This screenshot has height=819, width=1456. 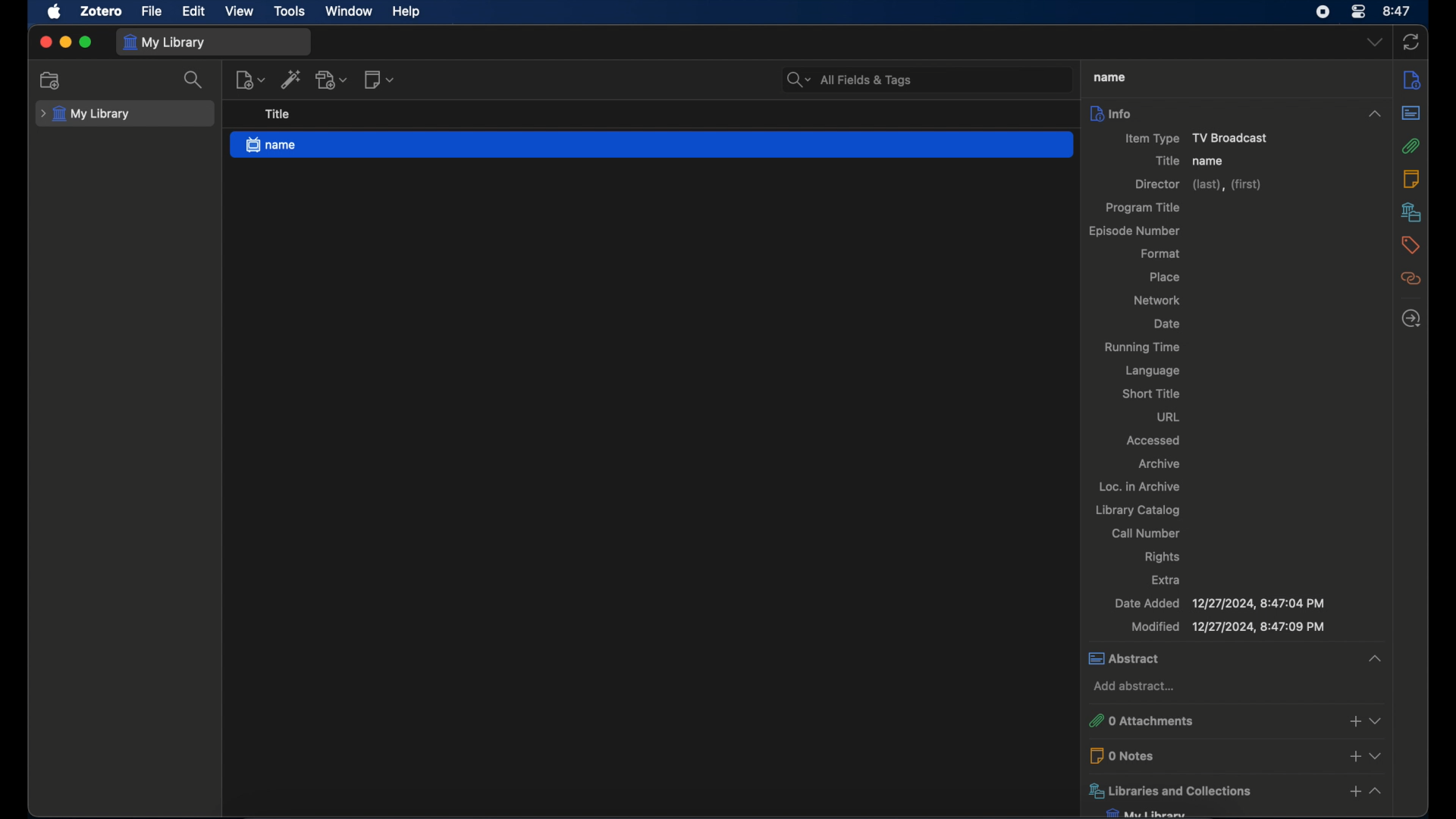 I want to click on my library, so click(x=165, y=43).